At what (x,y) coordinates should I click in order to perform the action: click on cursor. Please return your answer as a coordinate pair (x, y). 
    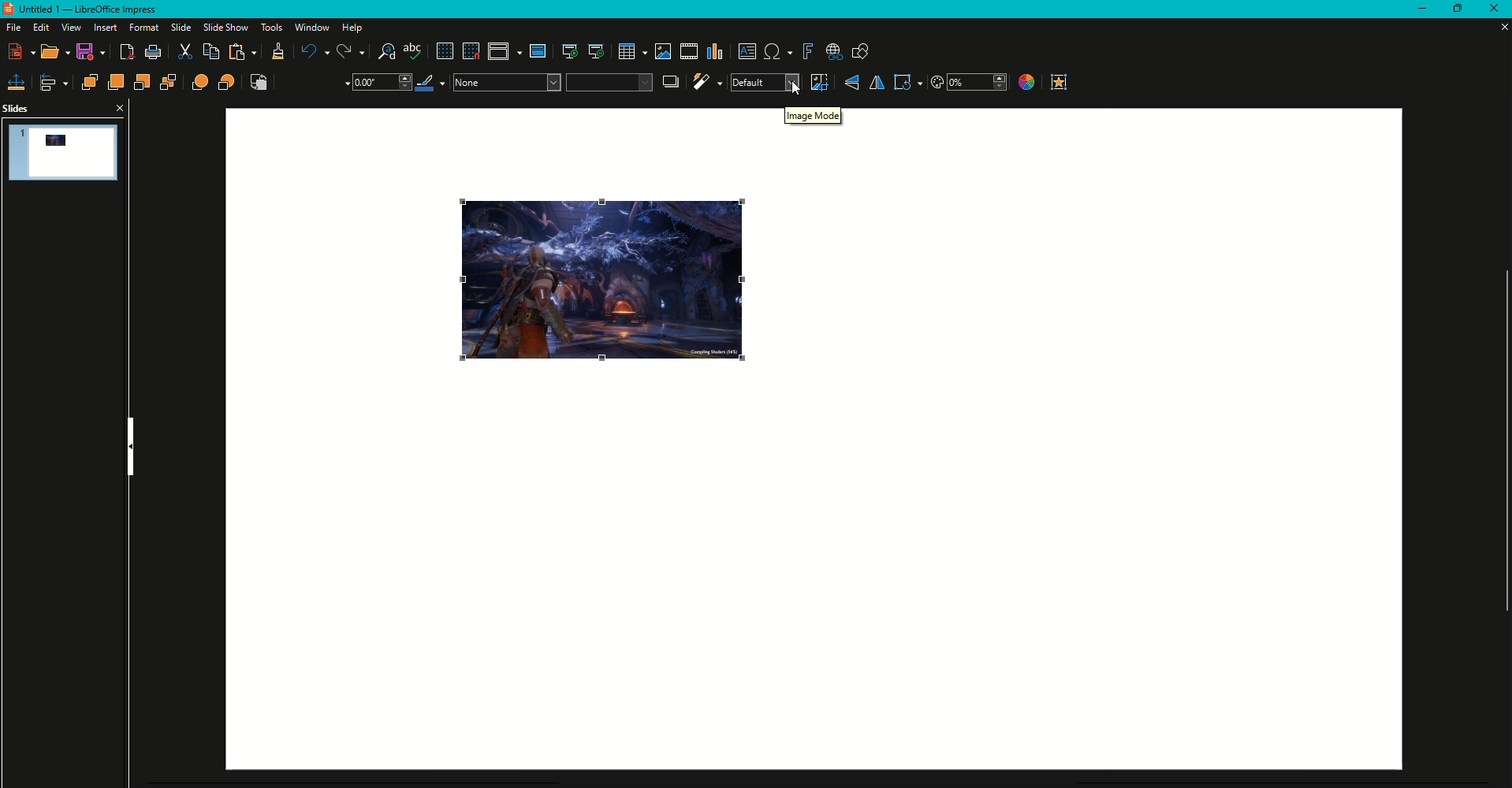
    Looking at the image, I should click on (797, 91).